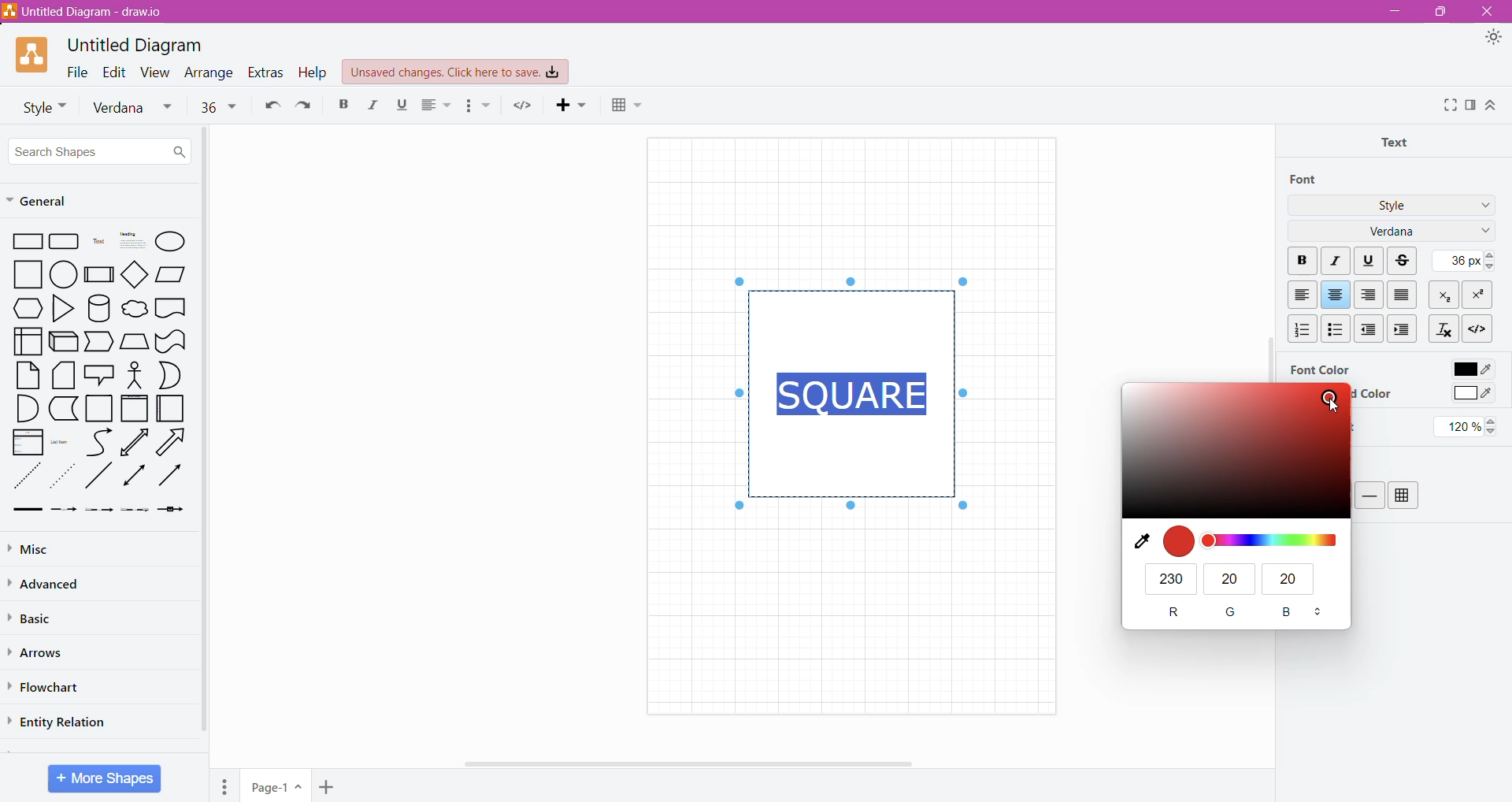  Describe the element at coordinates (1319, 369) in the screenshot. I see `Font Color` at that location.